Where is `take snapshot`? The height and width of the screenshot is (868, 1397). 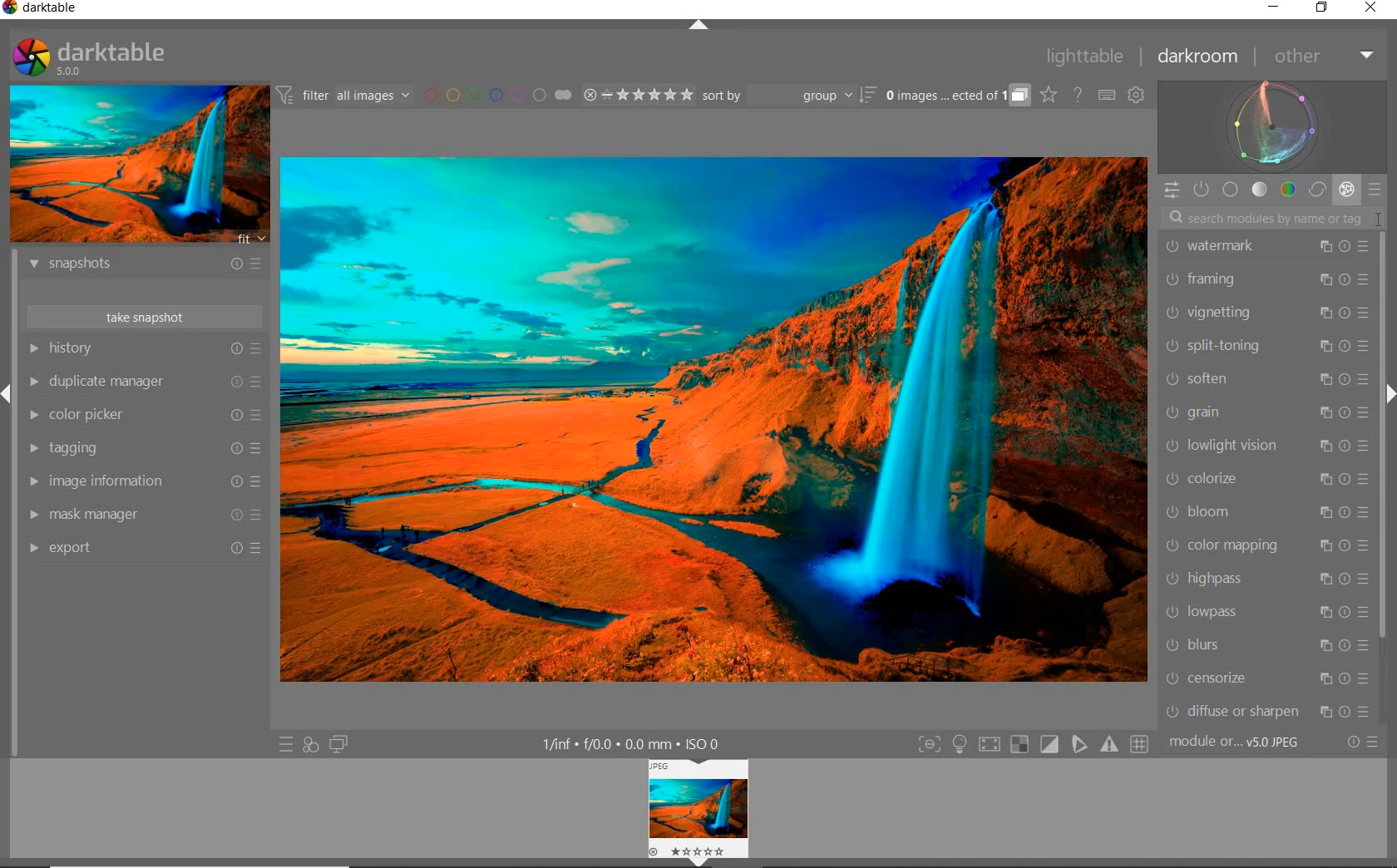
take snapshot is located at coordinates (144, 315).